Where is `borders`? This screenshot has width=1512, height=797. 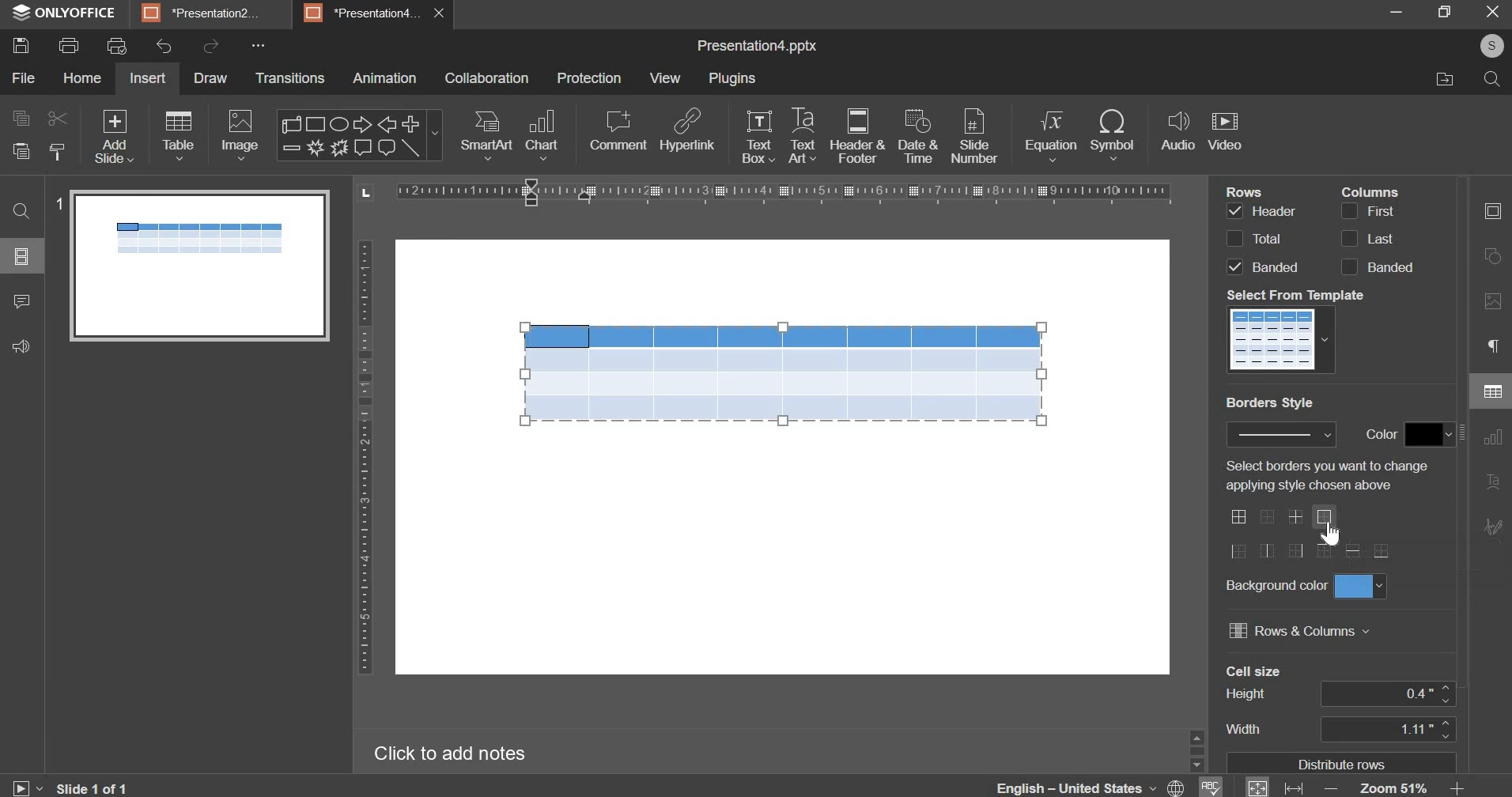
borders is located at coordinates (1307, 554).